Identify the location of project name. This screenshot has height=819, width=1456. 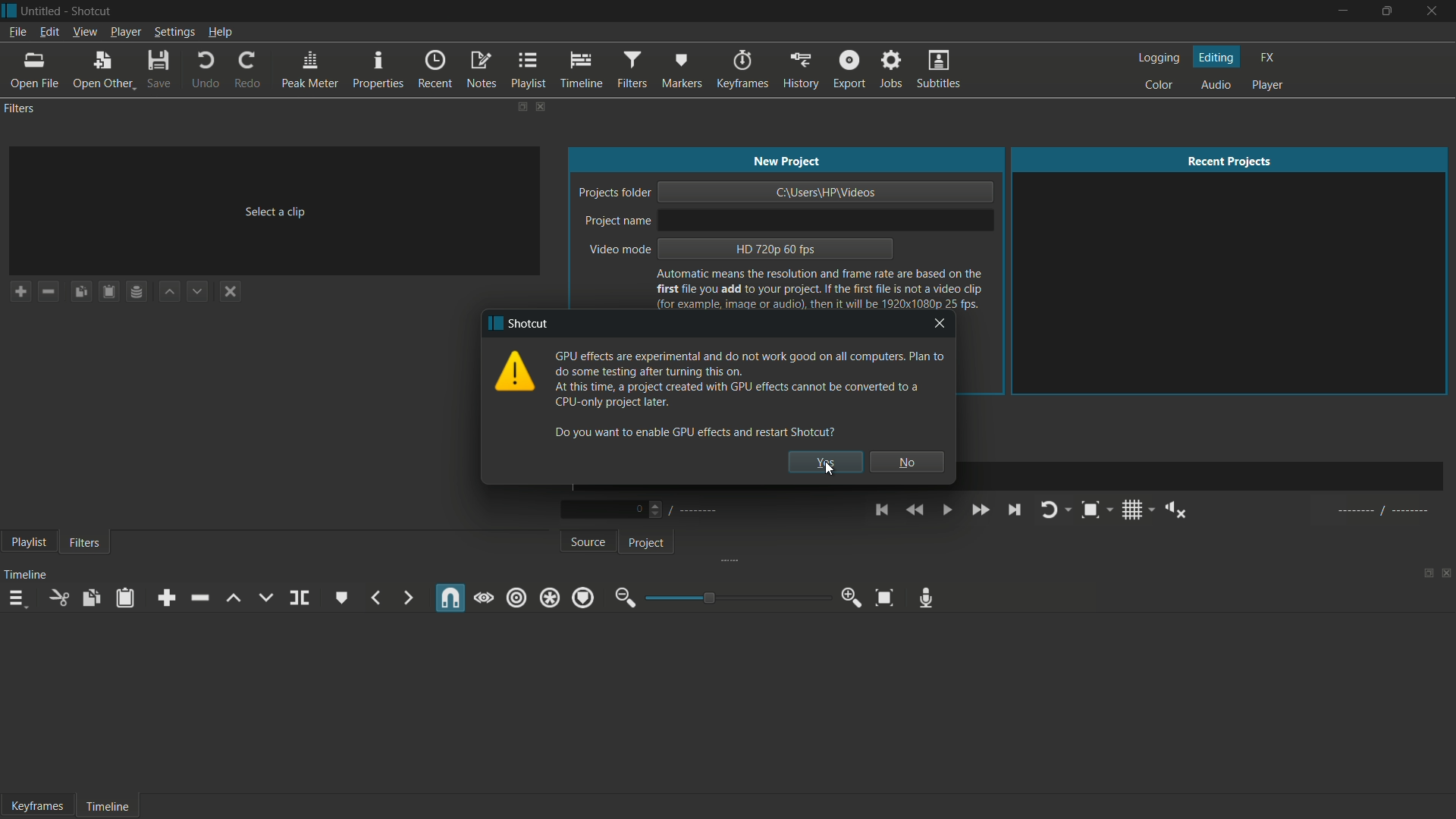
(618, 221).